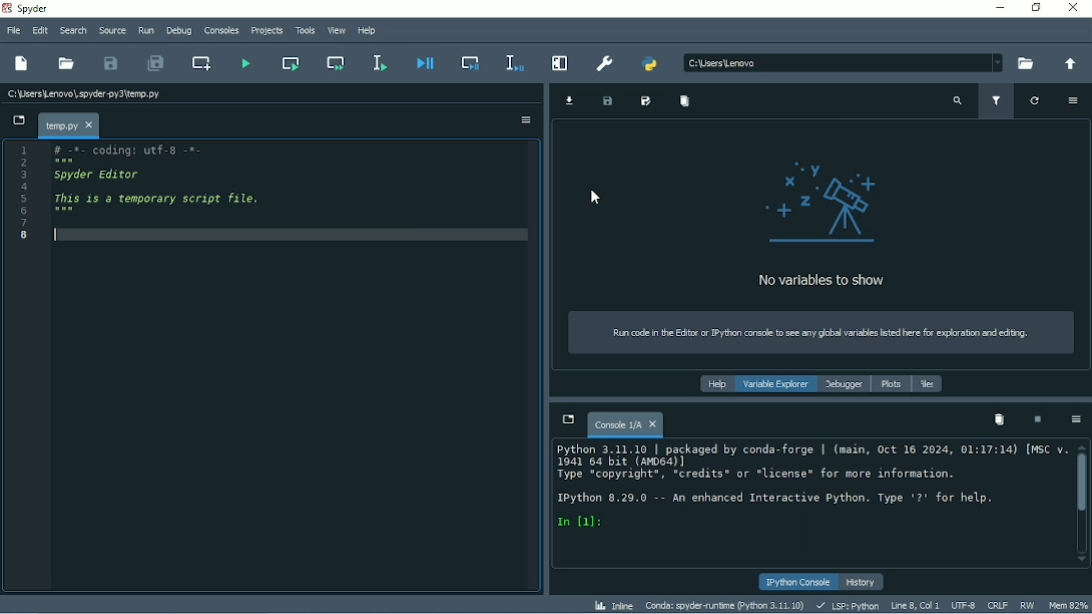  What do you see at coordinates (154, 63) in the screenshot?
I see `Save all files` at bounding box center [154, 63].